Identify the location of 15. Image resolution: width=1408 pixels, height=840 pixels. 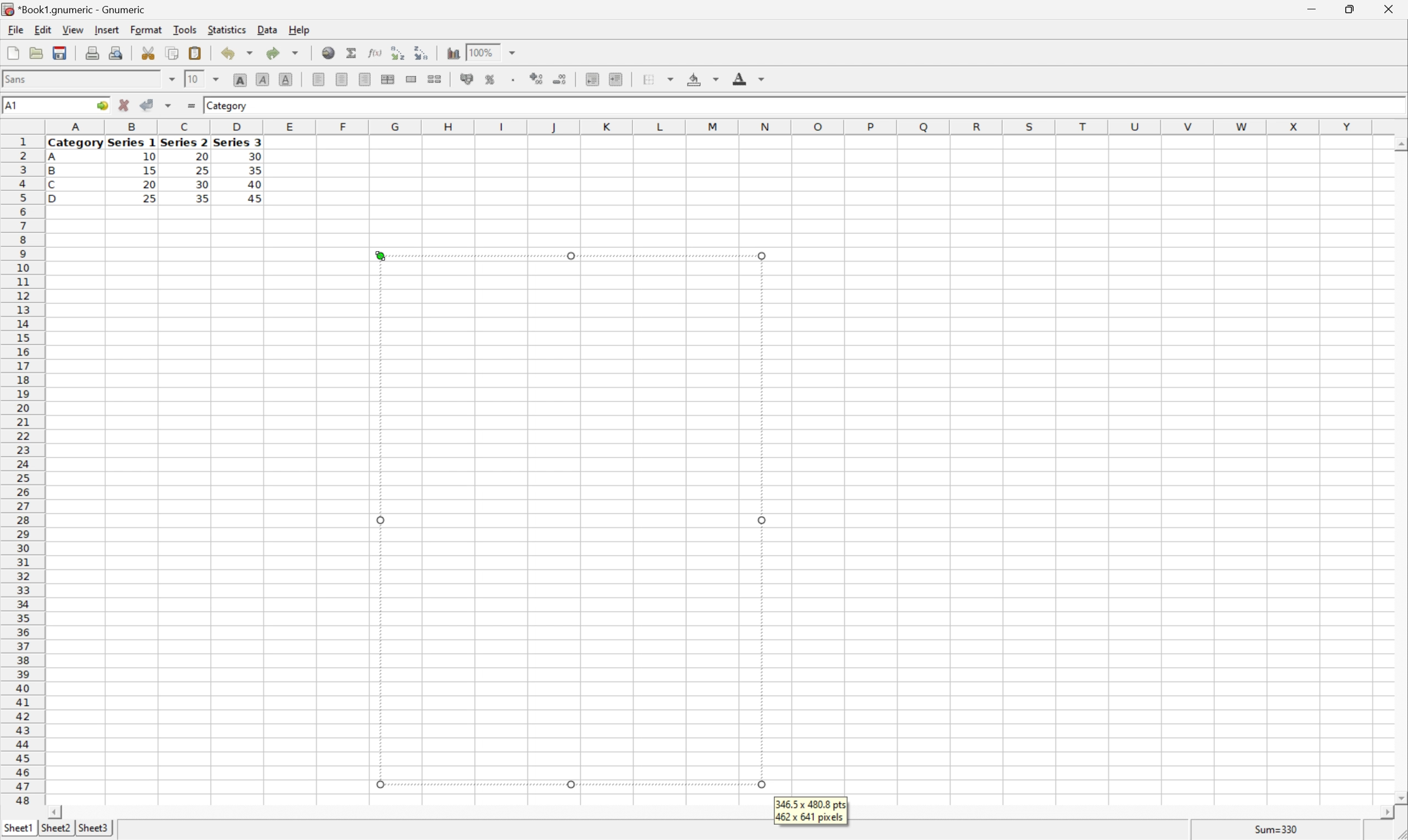
(149, 170).